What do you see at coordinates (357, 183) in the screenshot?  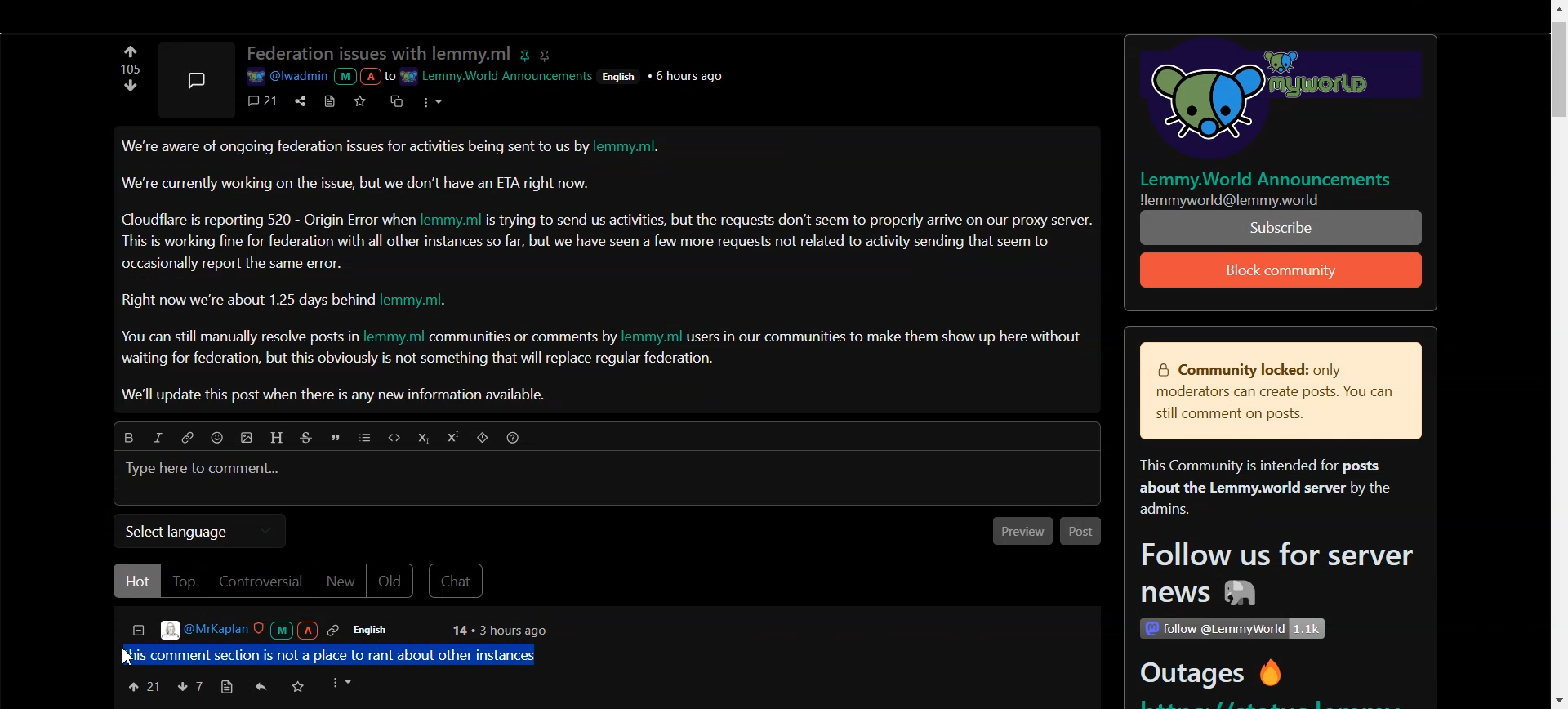 I see `We're currently working on the issue, but we don’t have an ETA right now.` at bounding box center [357, 183].